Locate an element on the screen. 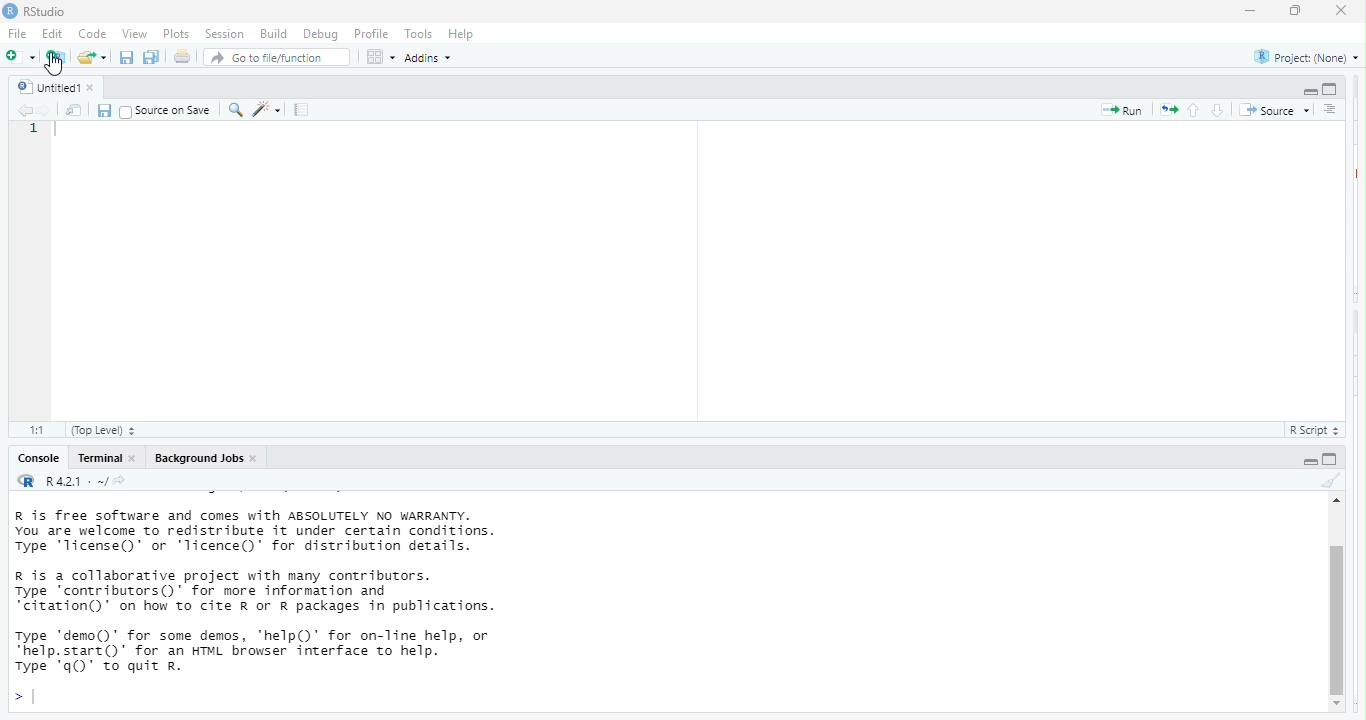 Image resolution: width=1366 pixels, height=720 pixels. re run the previous code is located at coordinates (1167, 111).